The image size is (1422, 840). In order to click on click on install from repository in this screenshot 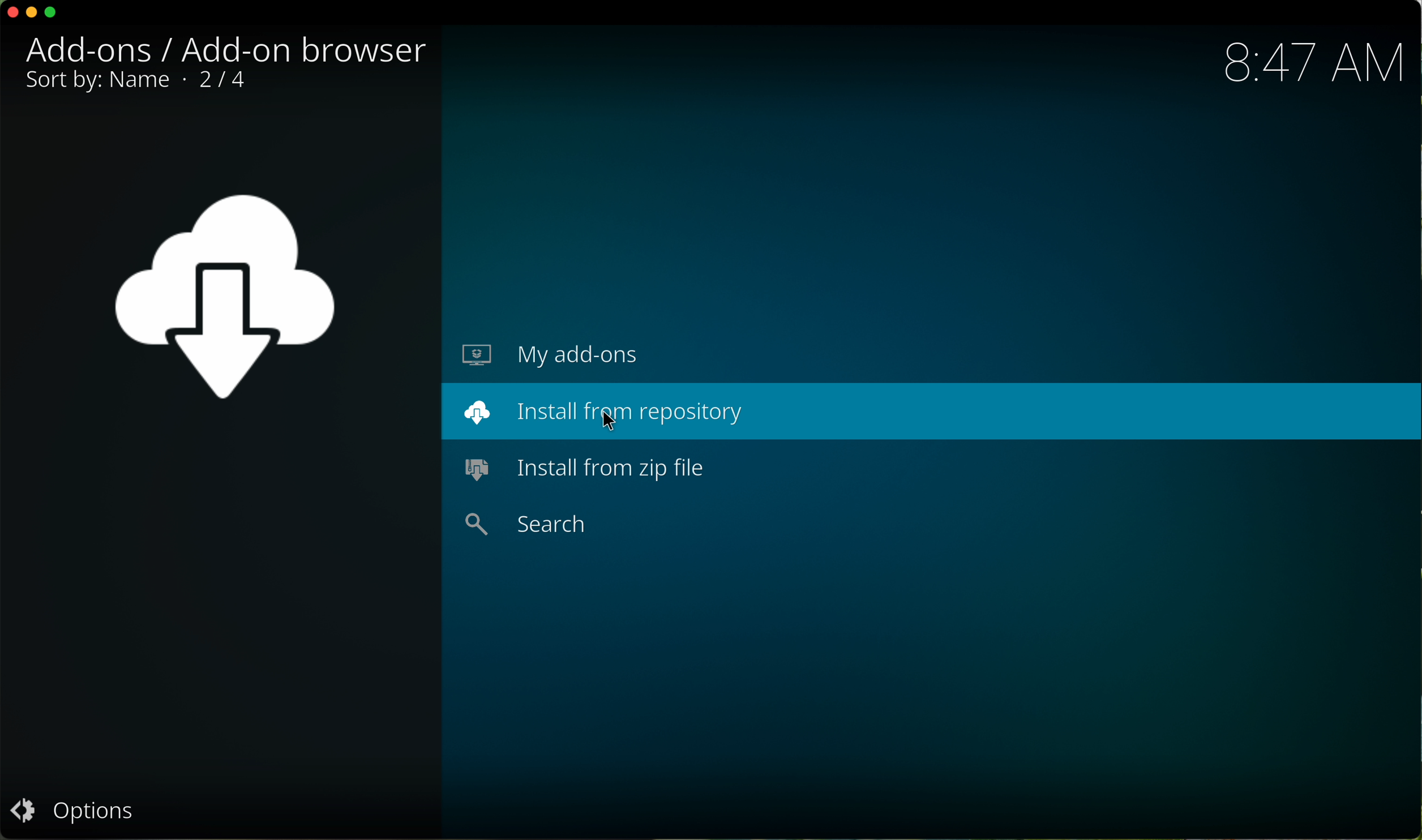, I will do `click(931, 410)`.